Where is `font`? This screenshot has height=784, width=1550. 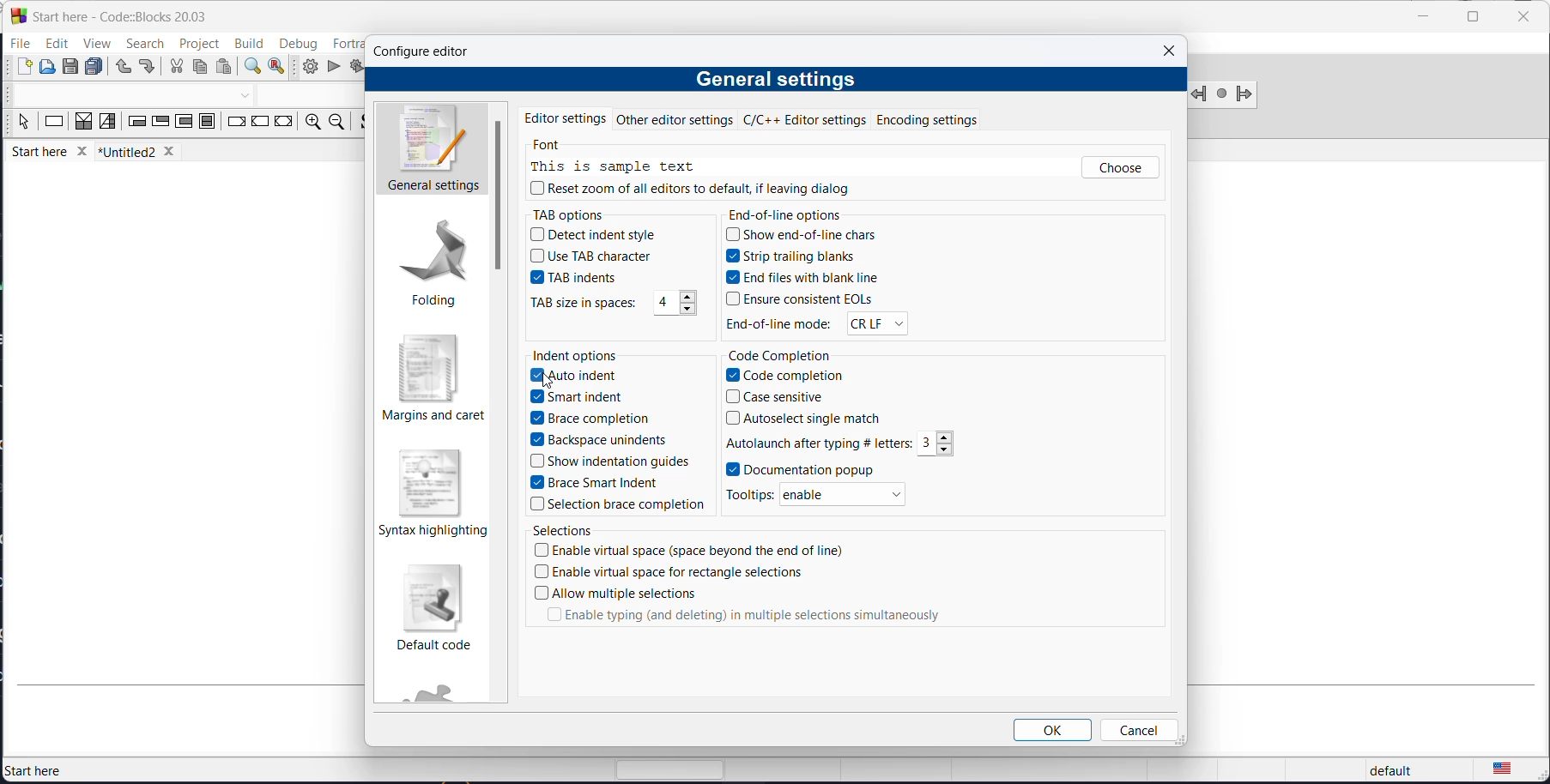
font is located at coordinates (554, 146).